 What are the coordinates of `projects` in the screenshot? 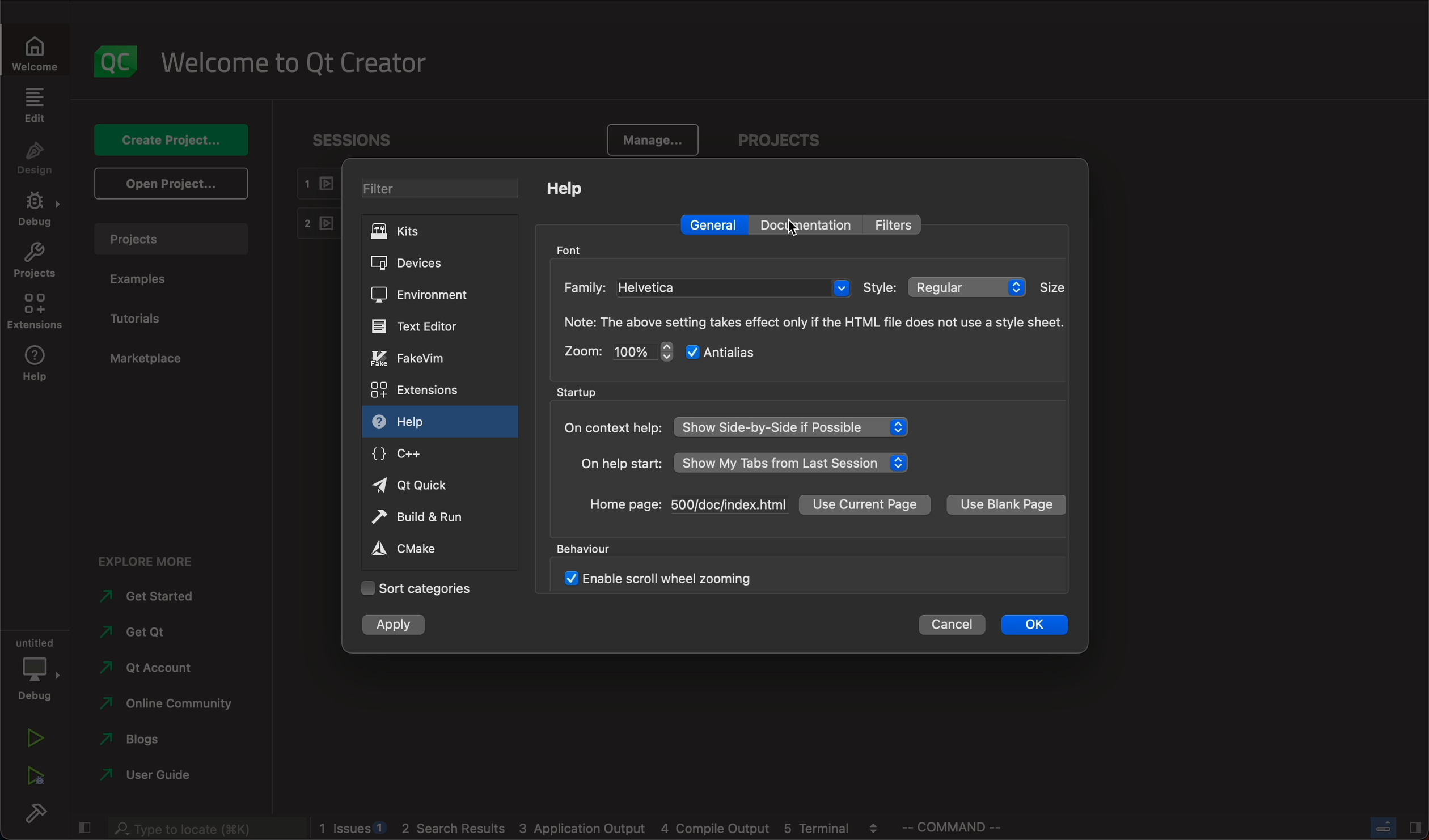 It's located at (788, 141).